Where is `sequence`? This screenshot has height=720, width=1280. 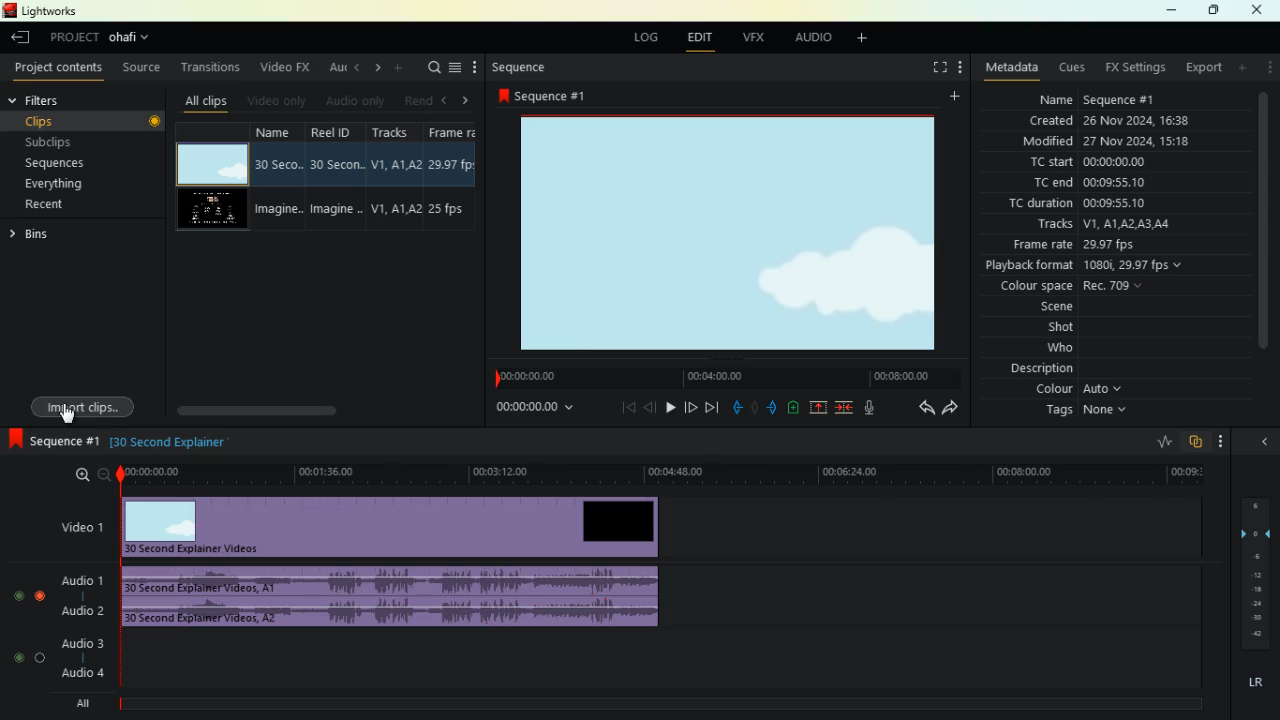
sequence is located at coordinates (50, 438).